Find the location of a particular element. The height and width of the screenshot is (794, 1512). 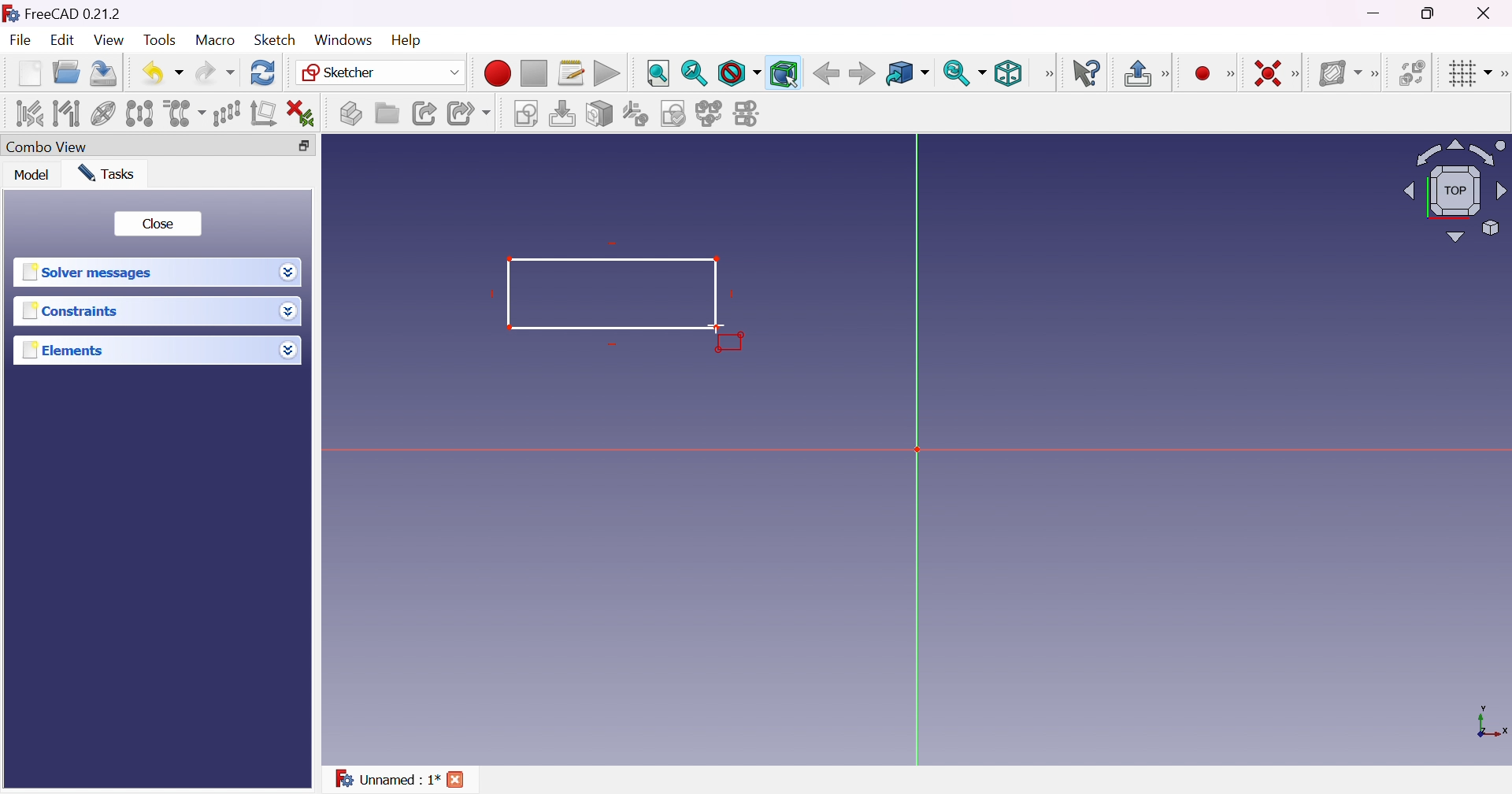

Refresh is located at coordinates (265, 72).